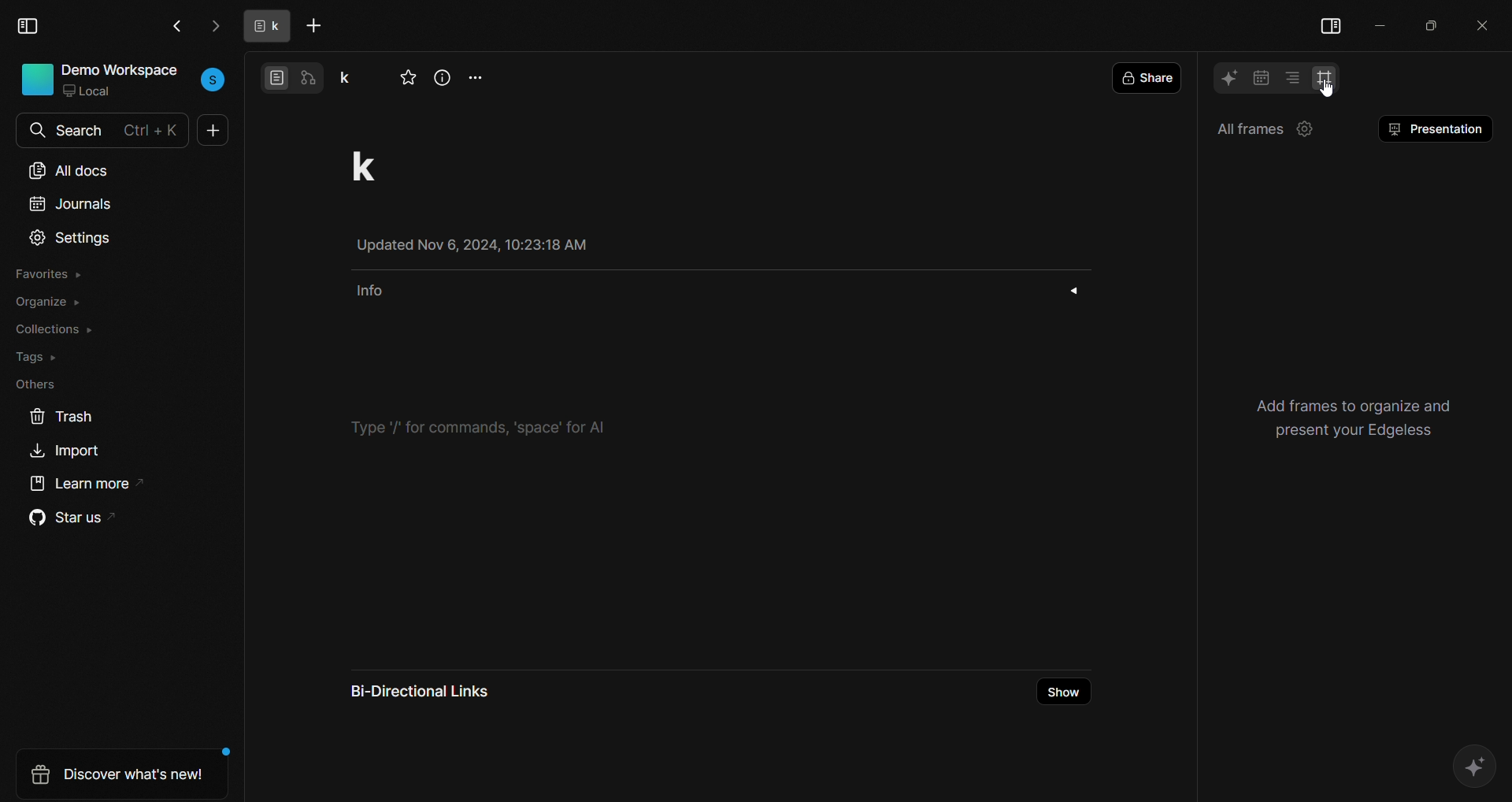 The width and height of the screenshot is (1512, 802). Describe the element at coordinates (382, 165) in the screenshot. I see `project title` at that location.